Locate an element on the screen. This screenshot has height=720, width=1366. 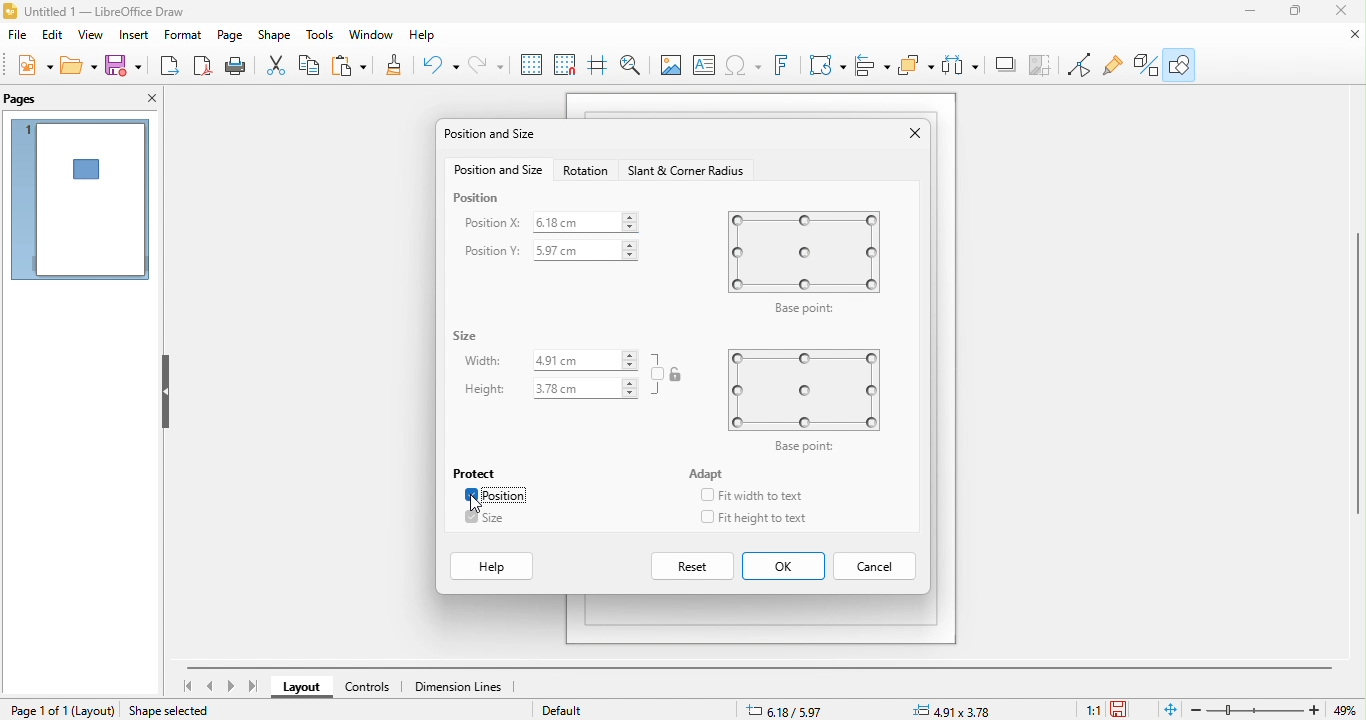
position x is located at coordinates (491, 221).